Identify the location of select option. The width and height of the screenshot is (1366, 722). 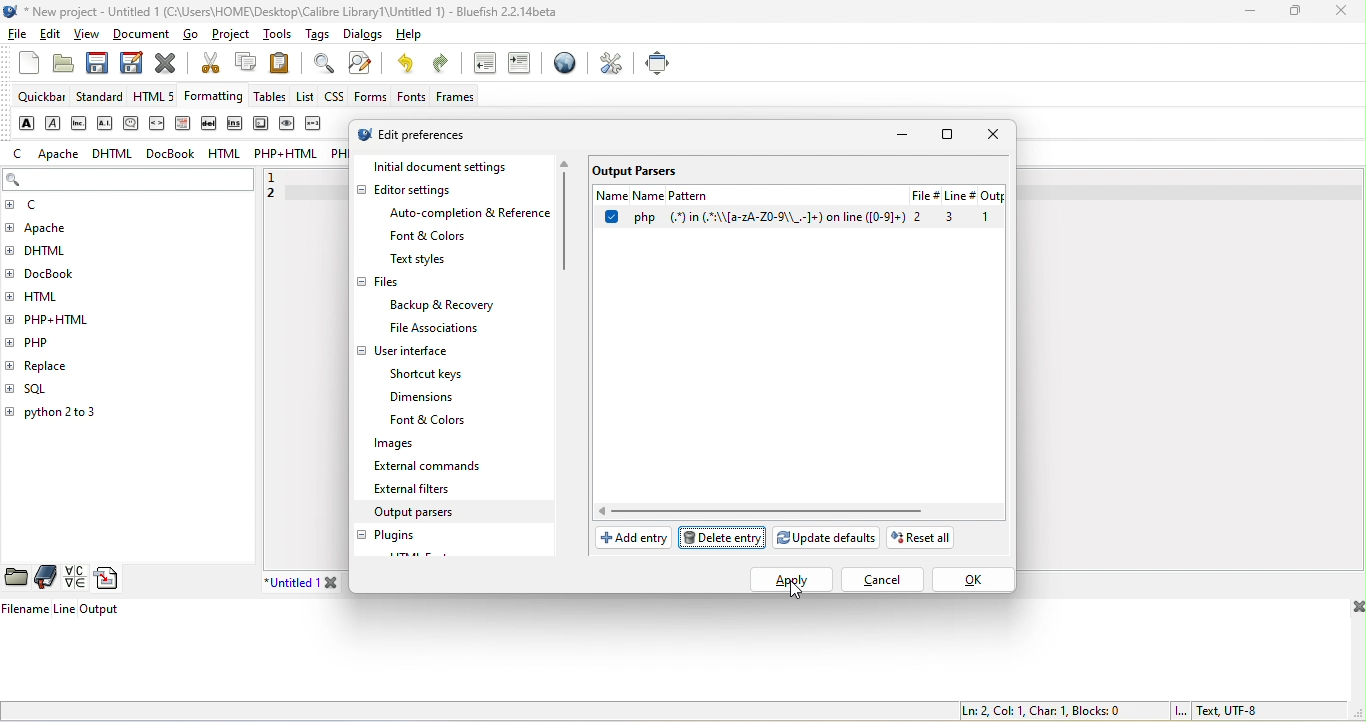
(800, 216).